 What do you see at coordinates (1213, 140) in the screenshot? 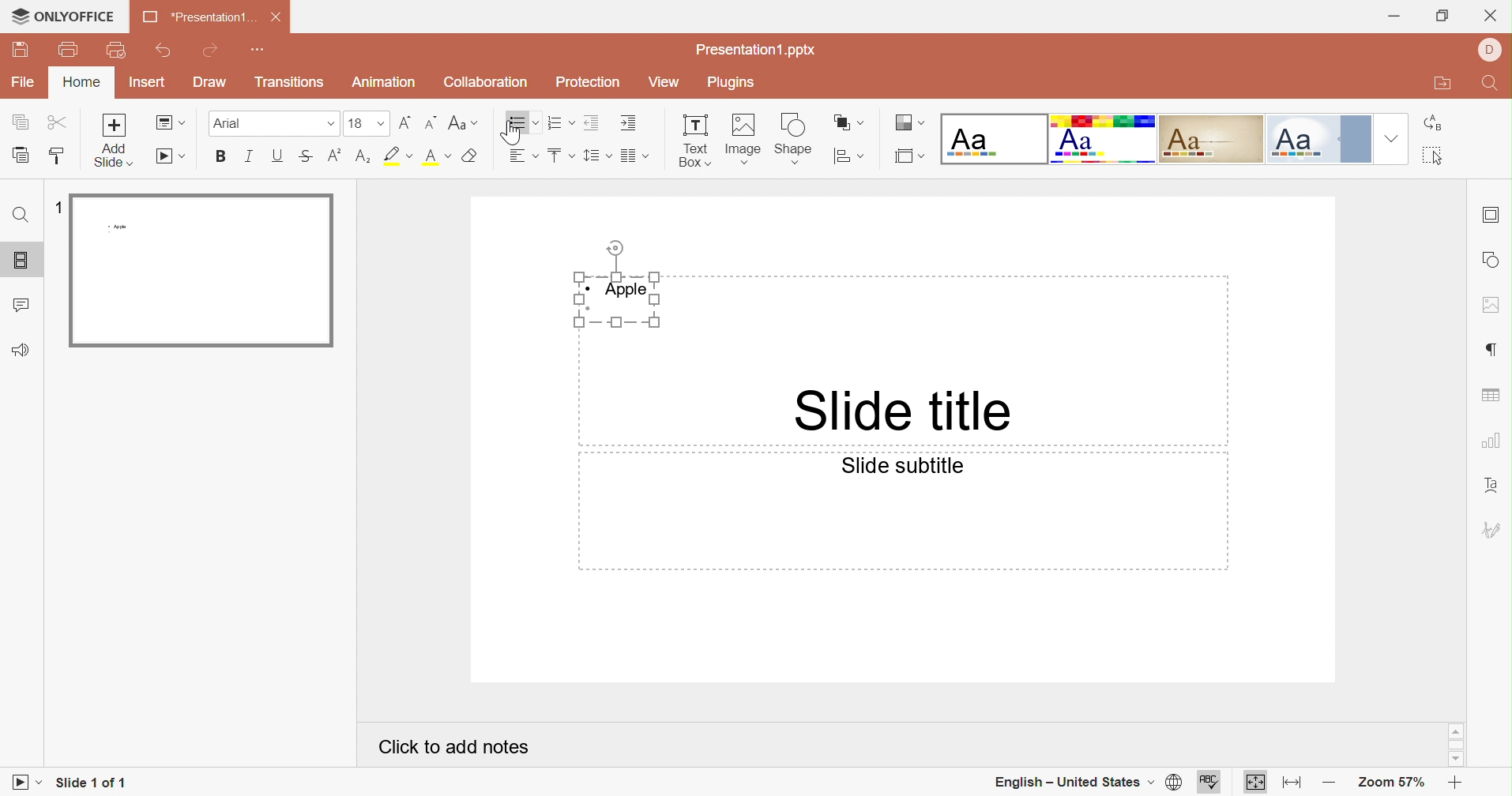
I see `Classic` at bounding box center [1213, 140].